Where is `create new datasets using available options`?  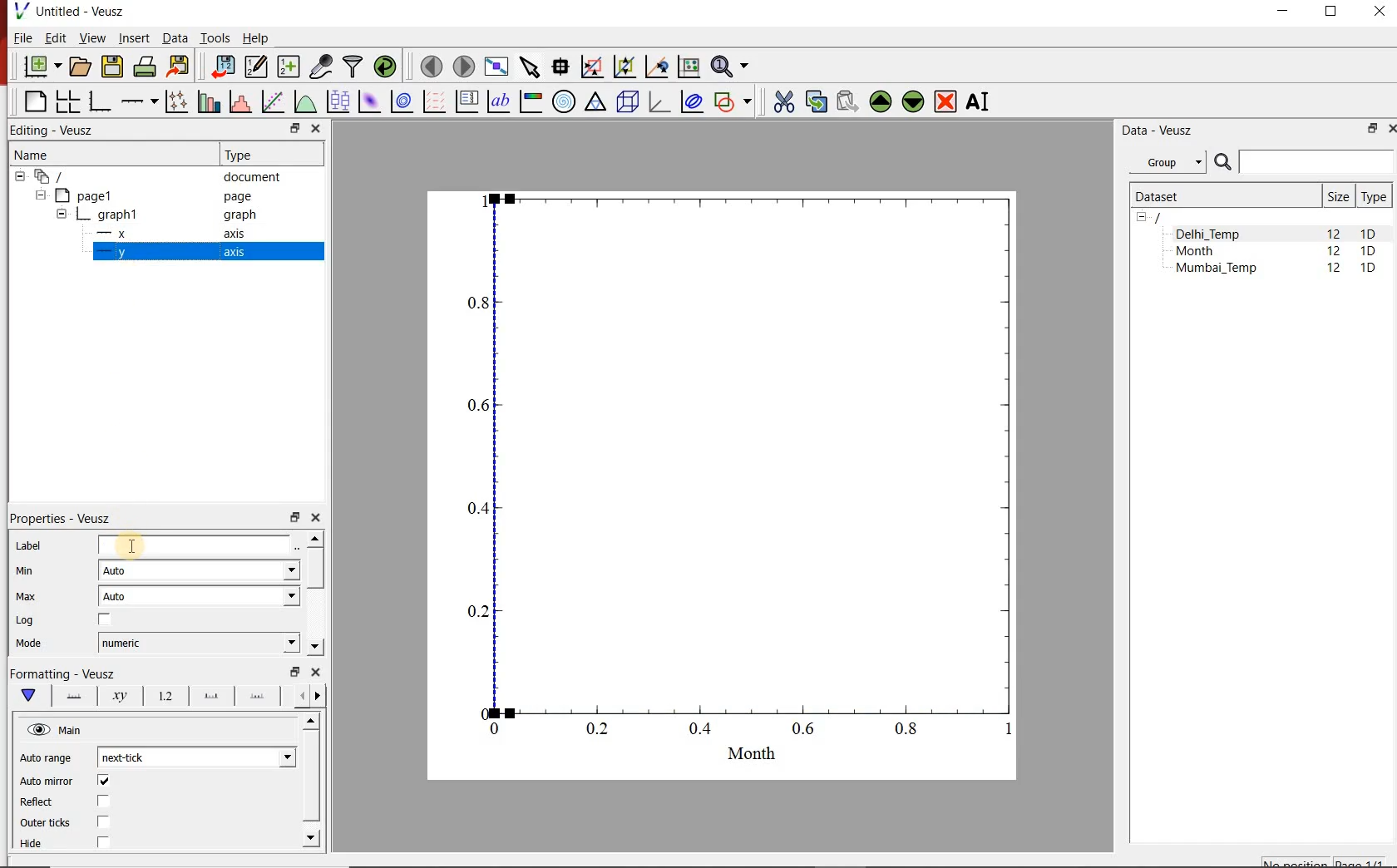
create new datasets using available options is located at coordinates (289, 67).